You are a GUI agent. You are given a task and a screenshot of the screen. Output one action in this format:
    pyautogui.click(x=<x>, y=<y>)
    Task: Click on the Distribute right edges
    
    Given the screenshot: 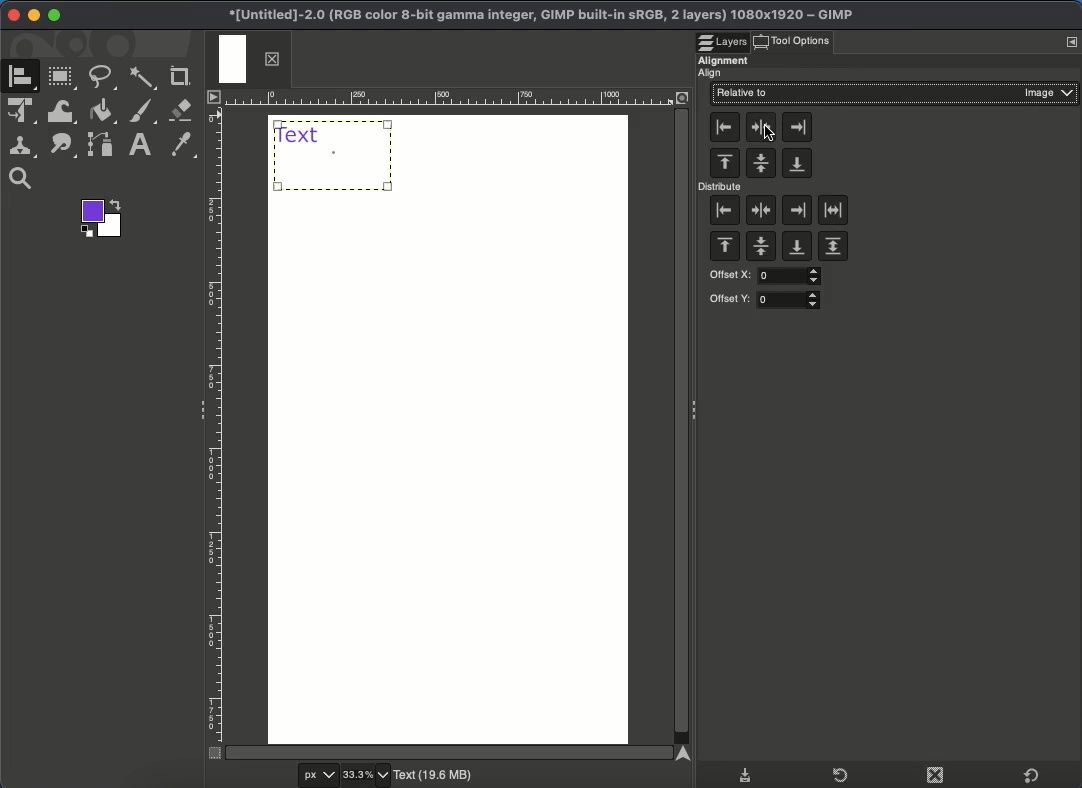 What is the action you would take?
    pyautogui.click(x=796, y=210)
    